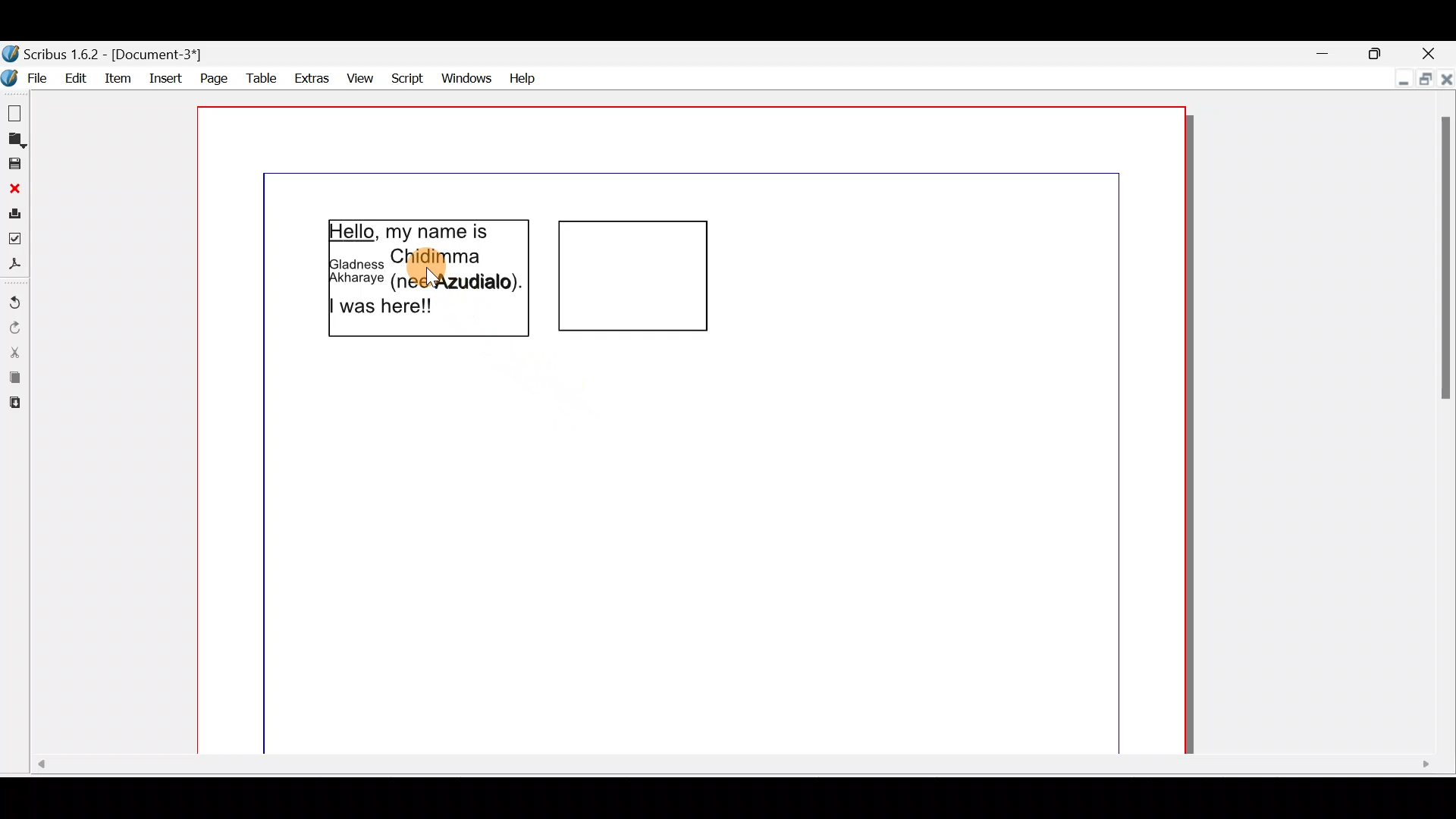 This screenshot has width=1456, height=819. What do you see at coordinates (467, 77) in the screenshot?
I see `Windows` at bounding box center [467, 77].